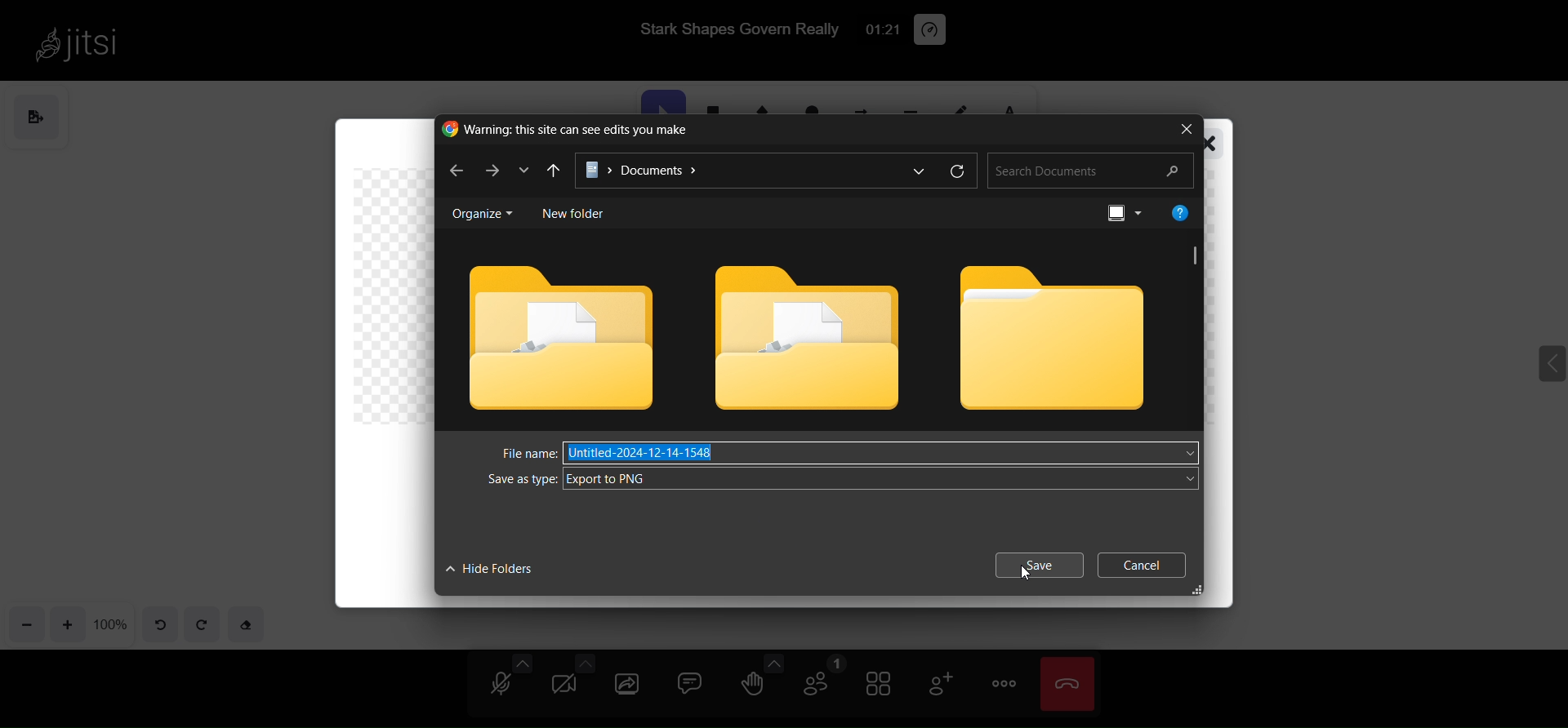  Describe the element at coordinates (1046, 340) in the screenshot. I see `folder 3` at that location.